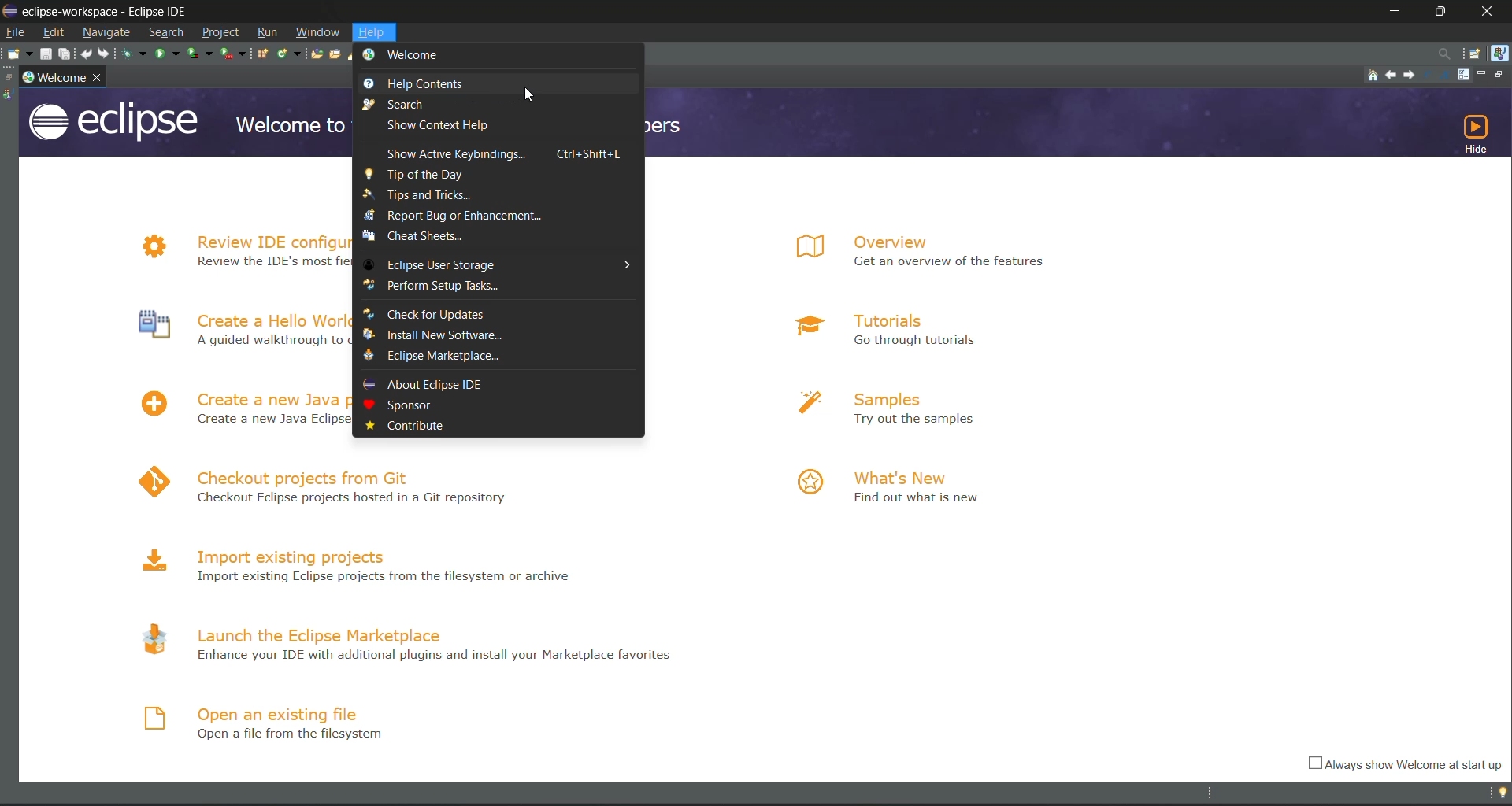 The image size is (1512, 806). What do you see at coordinates (504, 264) in the screenshot?
I see `eclipse user storage` at bounding box center [504, 264].